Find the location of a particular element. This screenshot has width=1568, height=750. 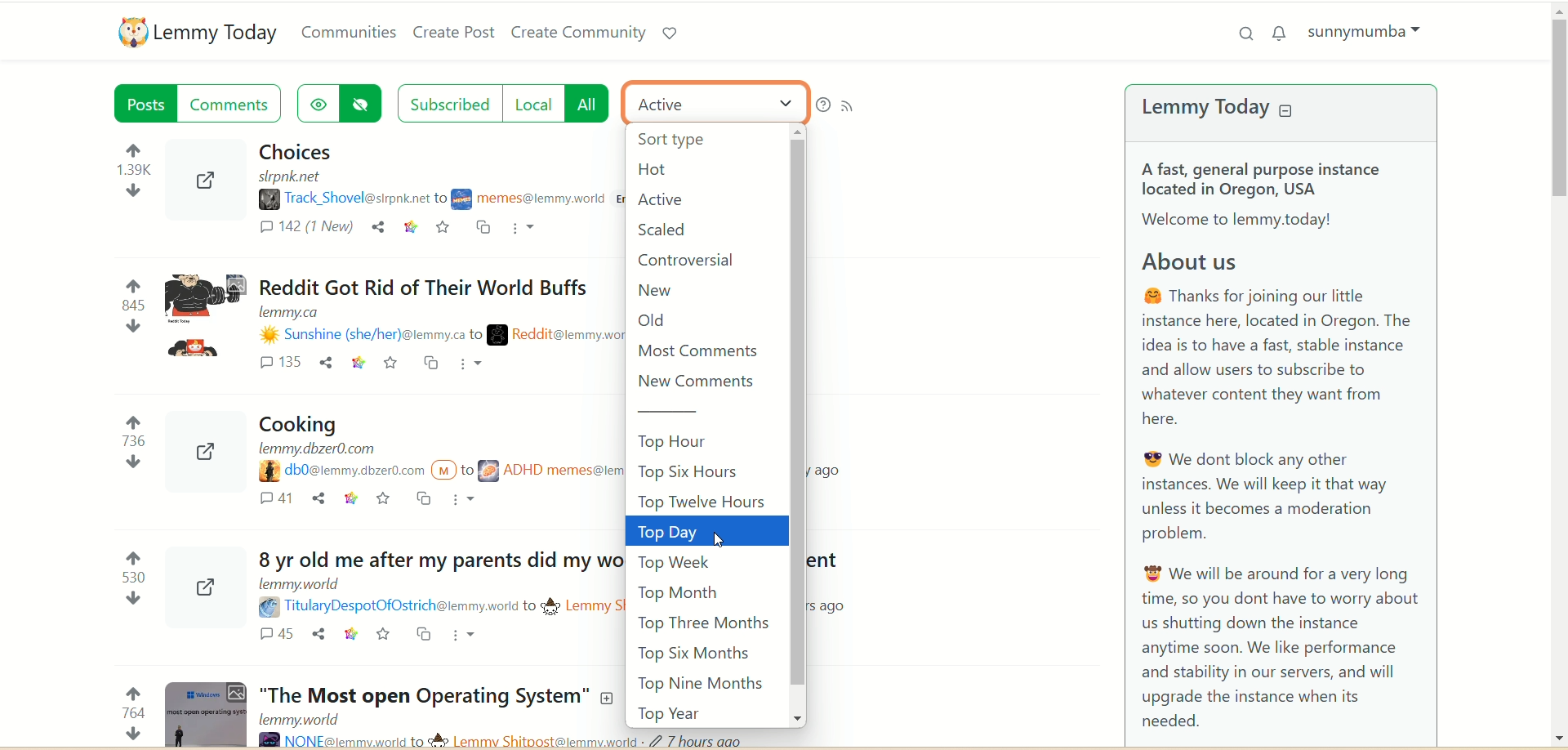

old is located at coordinates (658, 322).